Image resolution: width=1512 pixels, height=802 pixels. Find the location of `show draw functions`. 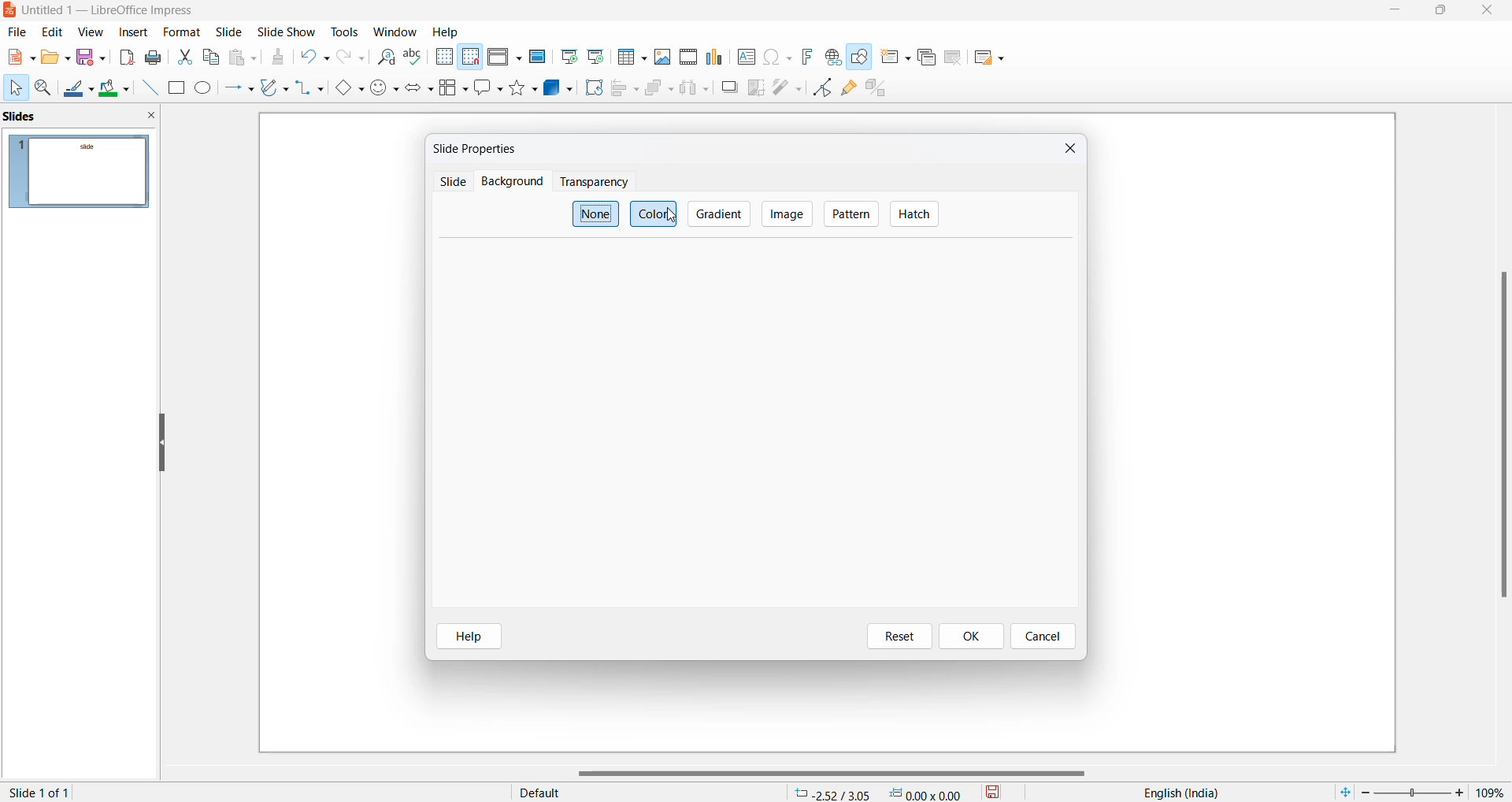

show draw functions is located at coordinates (862, 60).